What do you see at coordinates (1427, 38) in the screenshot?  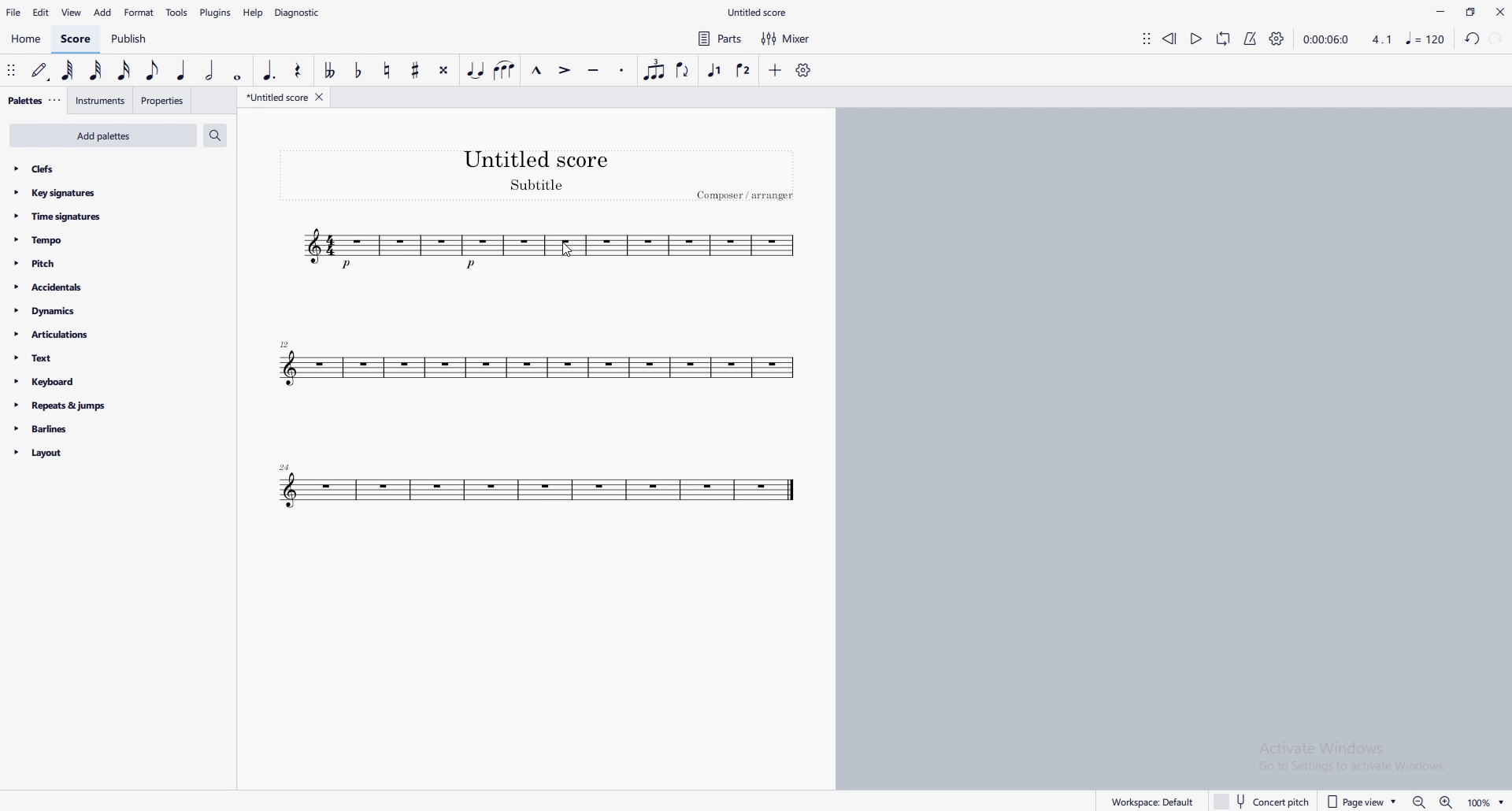 I see `music` at bounding box center [1427, 38].